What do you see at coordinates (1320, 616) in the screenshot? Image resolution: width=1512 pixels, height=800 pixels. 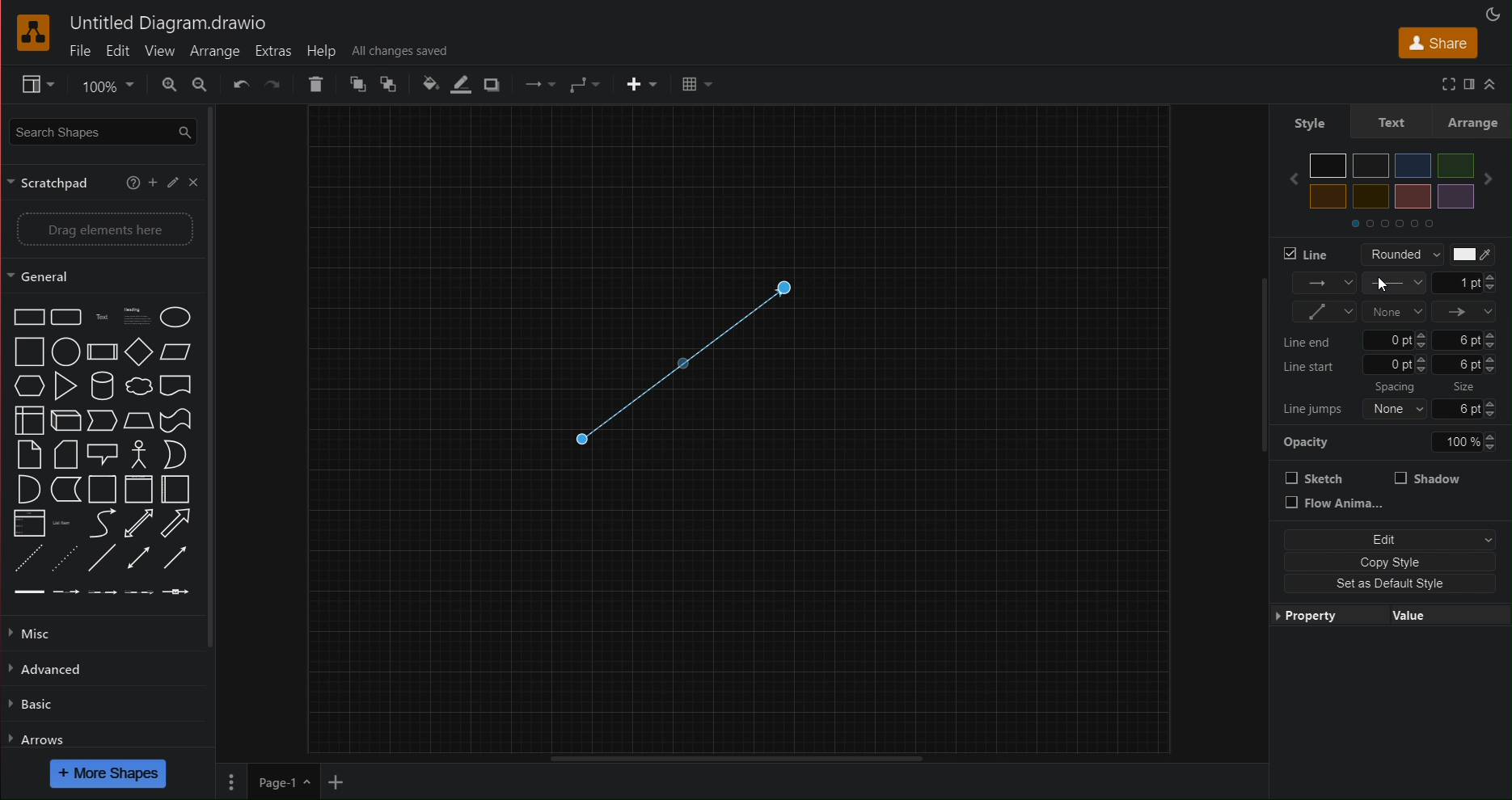 I see `Property` at bounding box center [1320, 616].